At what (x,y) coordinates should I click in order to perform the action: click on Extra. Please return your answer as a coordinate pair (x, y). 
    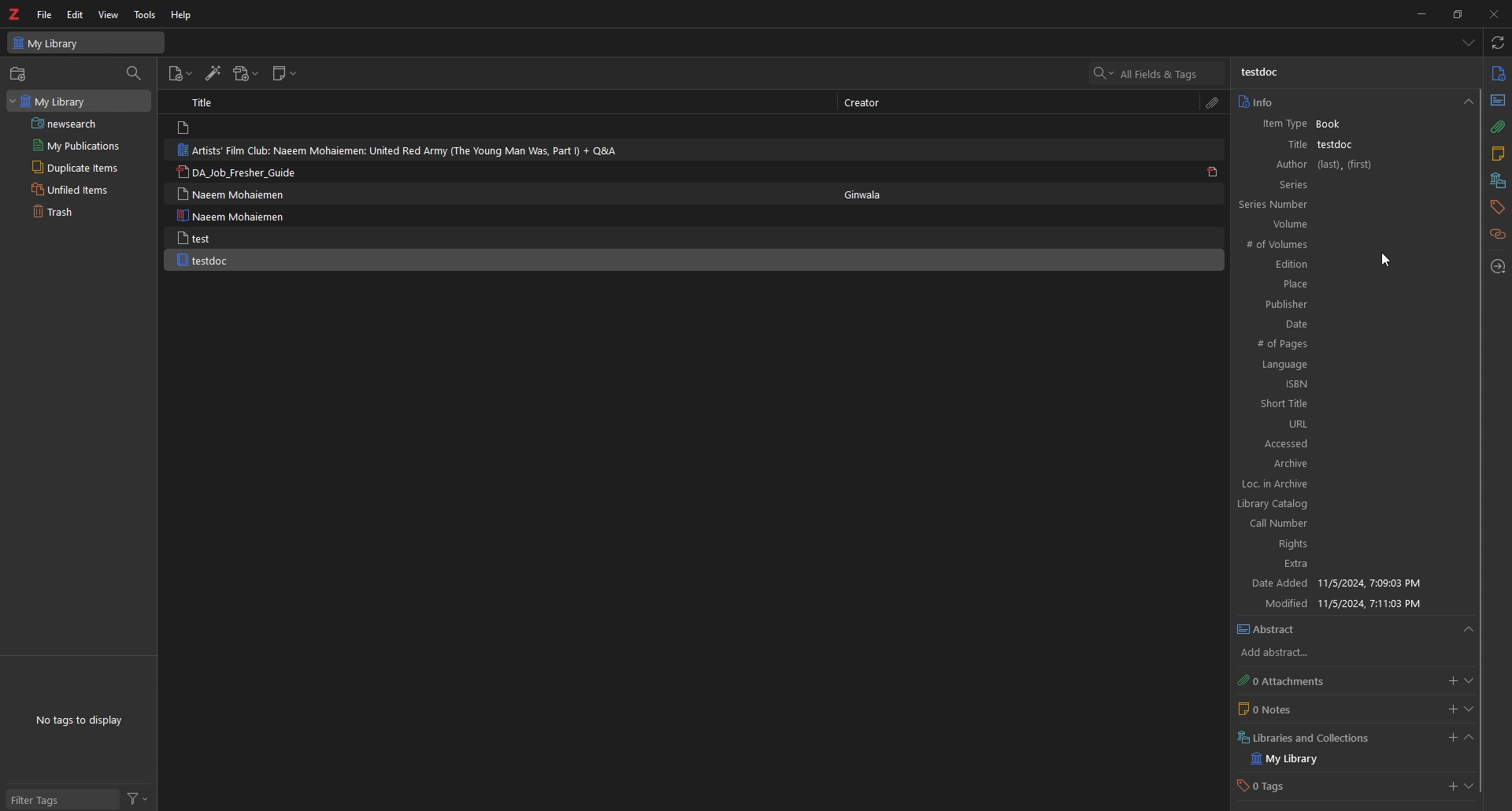
    Looking at the image, I should click on (1298, 564).